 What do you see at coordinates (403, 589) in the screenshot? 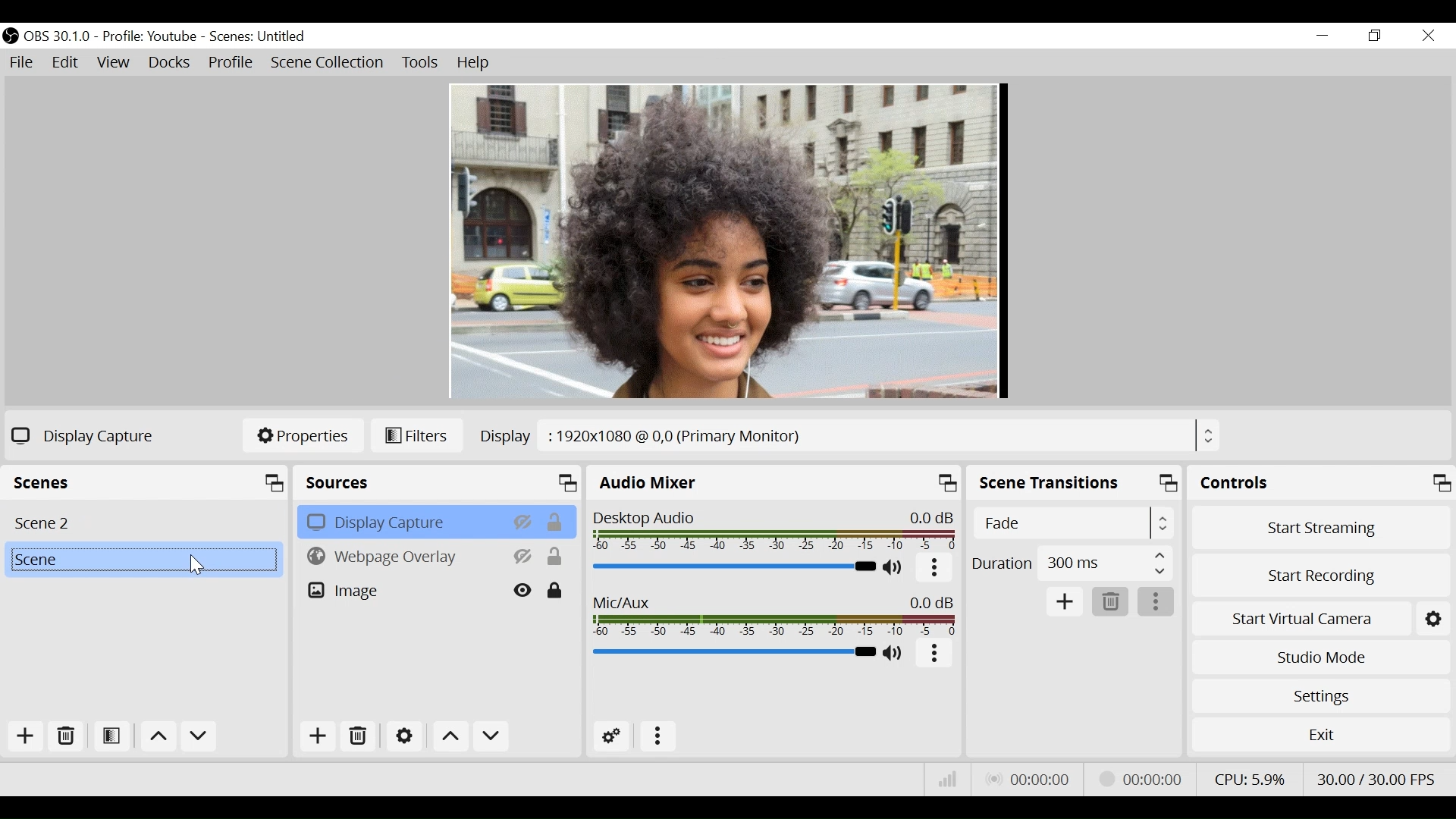
I see `Image` at bounding box center [403, 589].